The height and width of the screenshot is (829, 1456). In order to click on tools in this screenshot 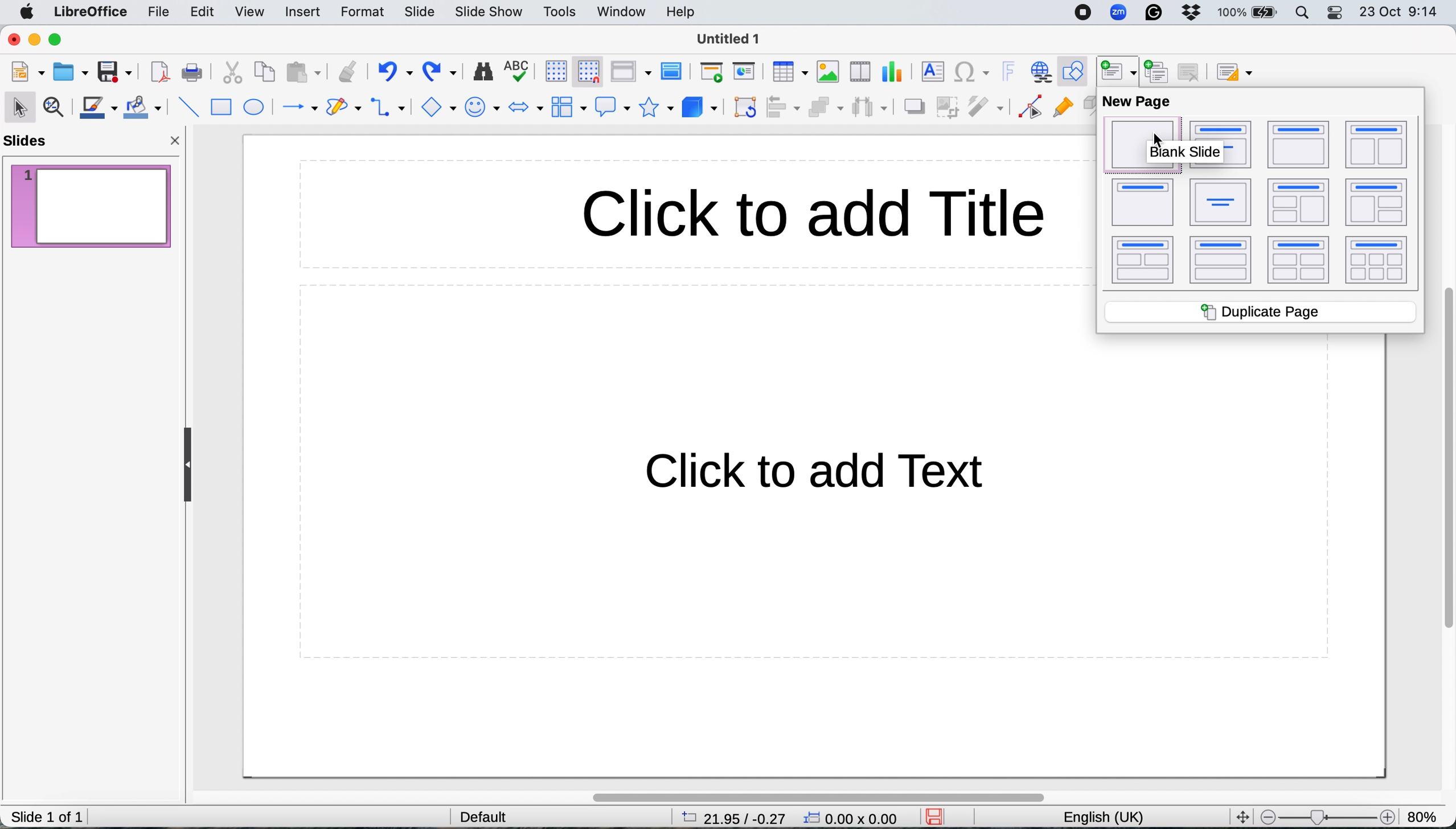, I will do `click(564, 13)`.